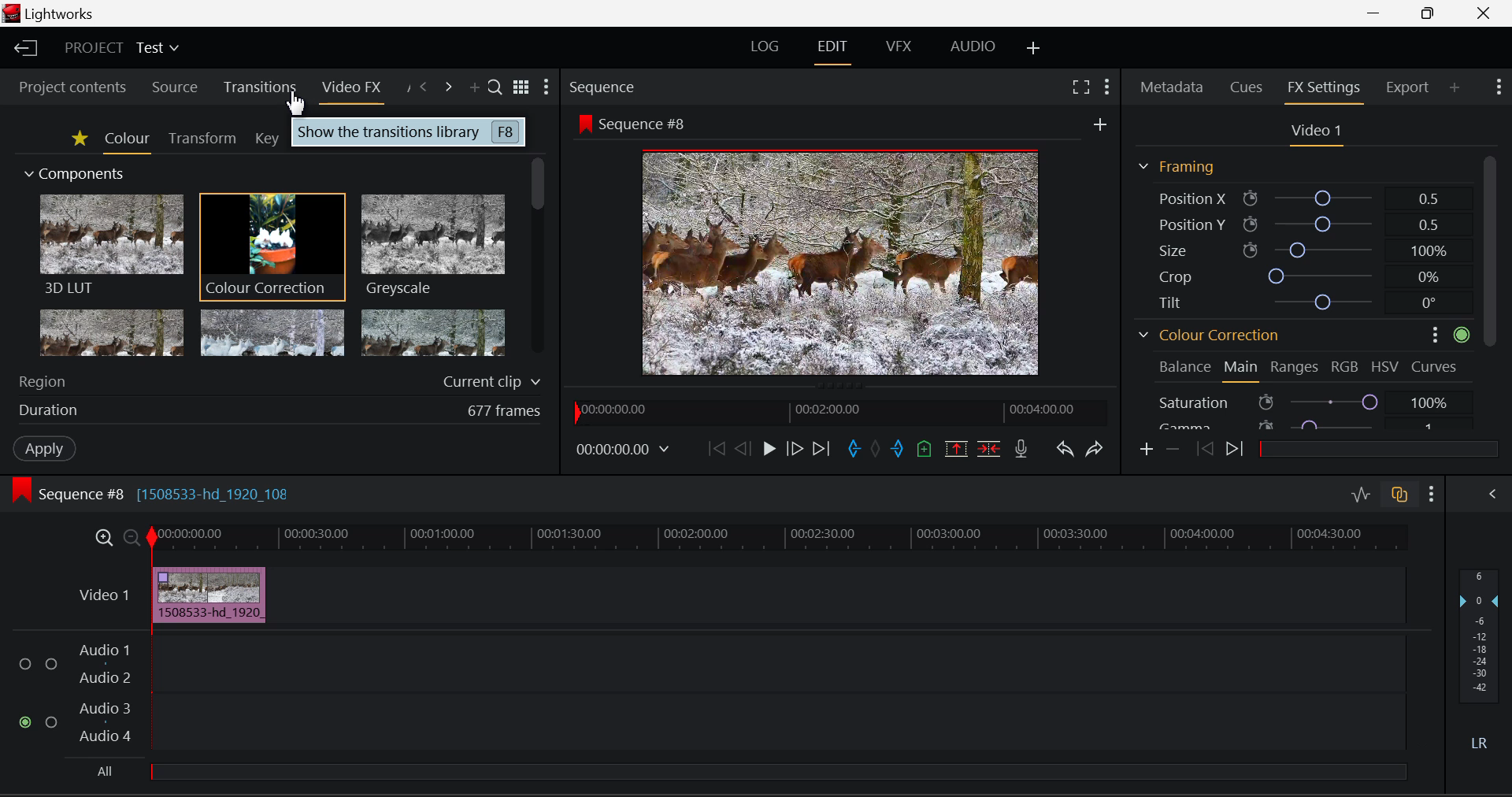 The width and height of the screenshot is (1512, 797). I want to click on Components, so click(76, 175).